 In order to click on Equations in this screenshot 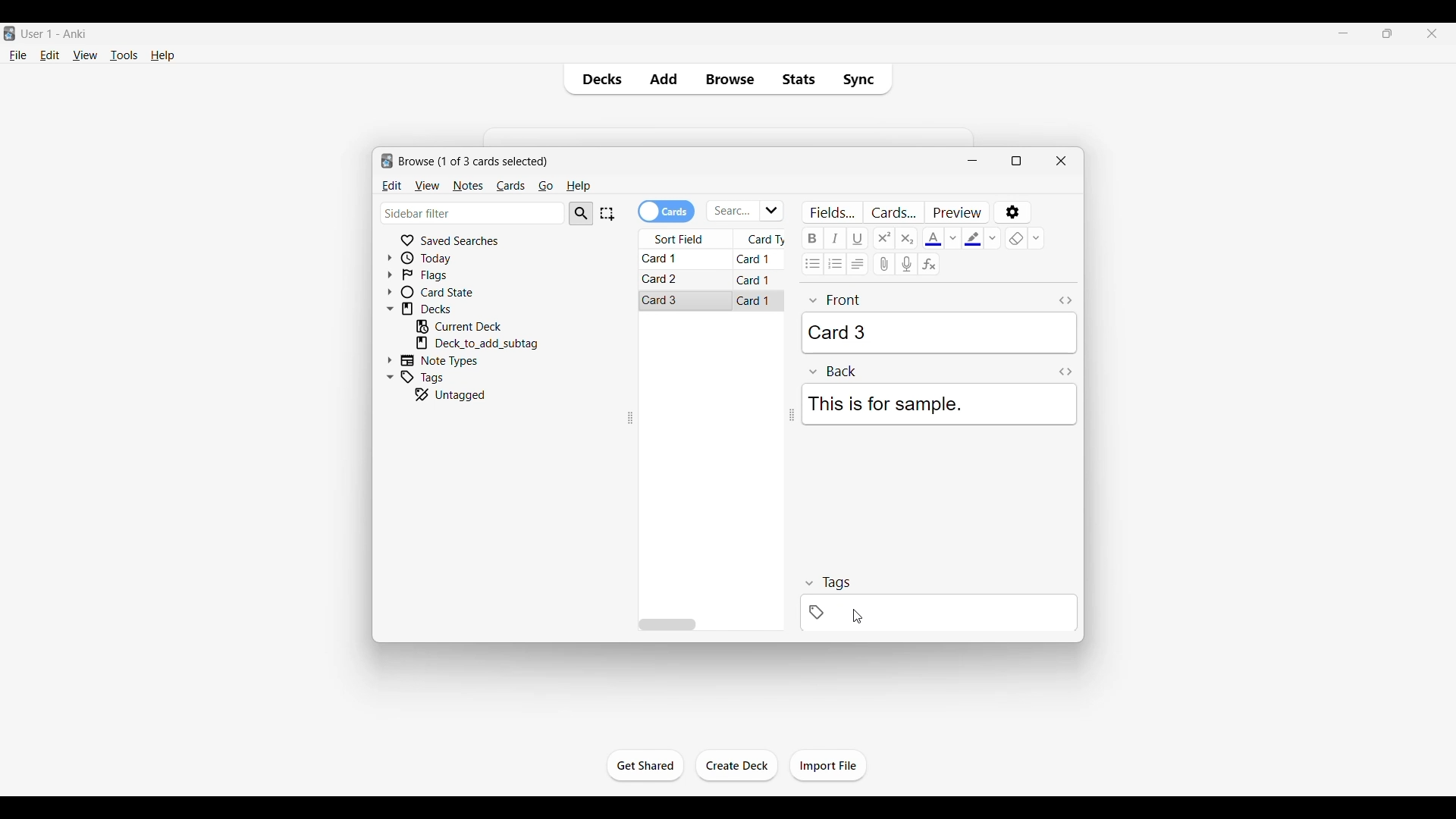, I will do `click(929, 263)`.